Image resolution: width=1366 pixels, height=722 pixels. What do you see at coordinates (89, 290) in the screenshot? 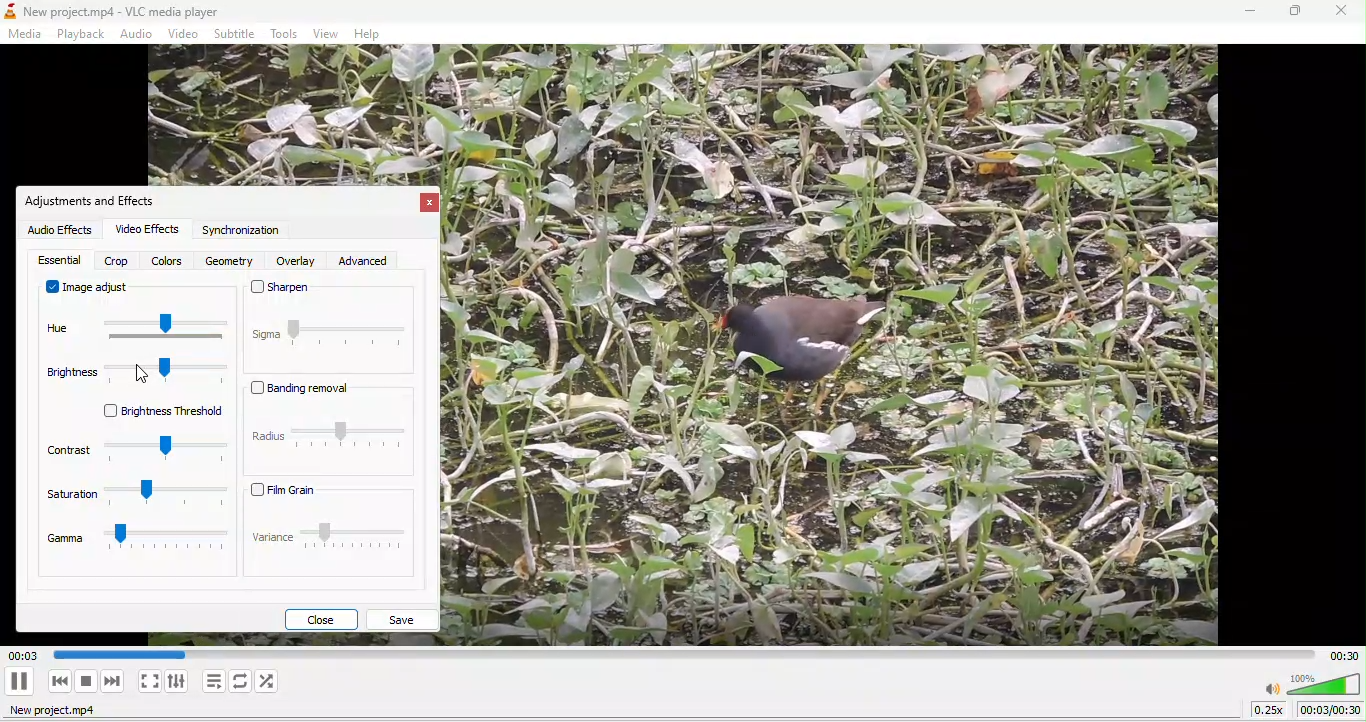
I see `image adjust` at bounding box center [89, 290].